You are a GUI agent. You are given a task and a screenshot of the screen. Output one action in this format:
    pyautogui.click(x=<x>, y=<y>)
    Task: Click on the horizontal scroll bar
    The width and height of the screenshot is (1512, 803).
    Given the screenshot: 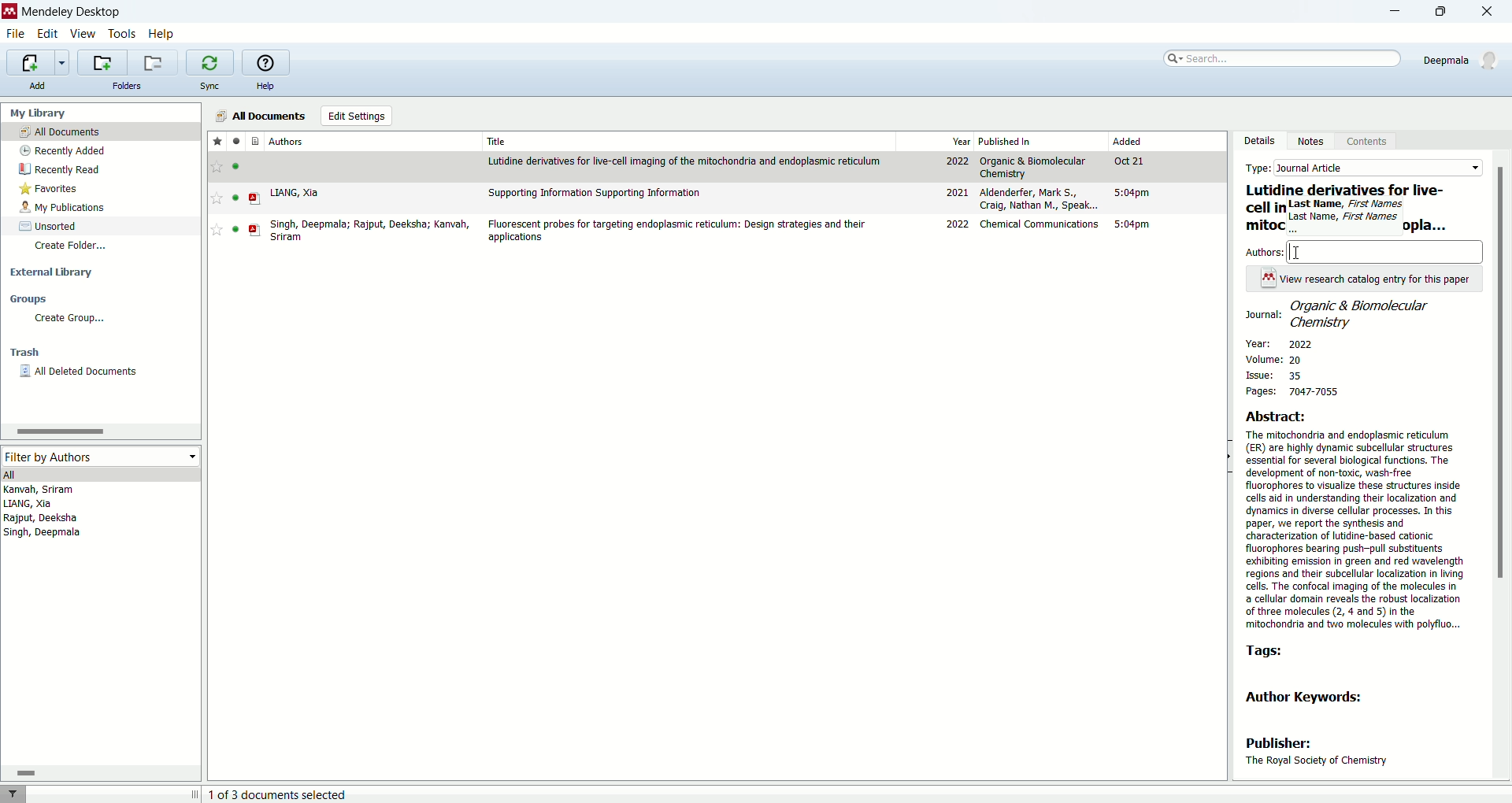 What is the action you would take?
    pyautogui.click(x=99, y=431)
    